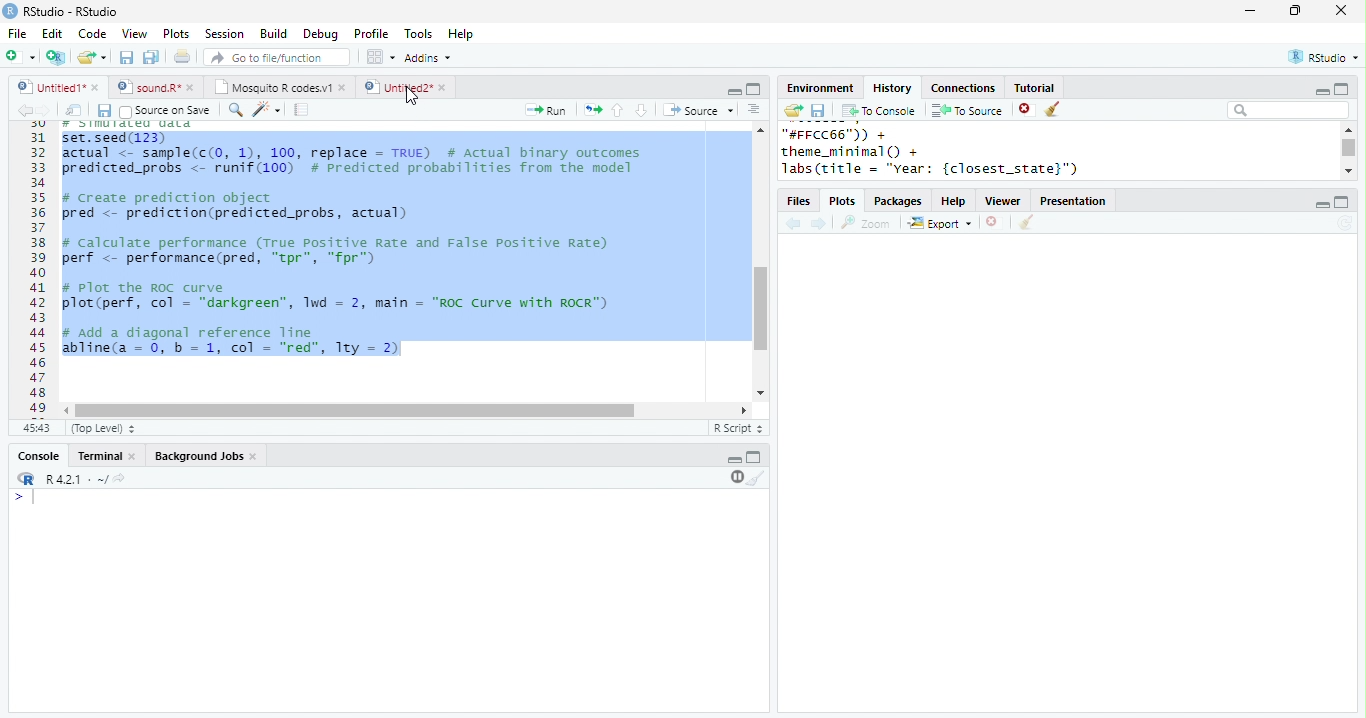 Image resolution: width=1366 pixels, height=718 pixels. Describe the element at coordinates (75, 12) in the screenshot. I see `RStudio-RStudio` at that location.